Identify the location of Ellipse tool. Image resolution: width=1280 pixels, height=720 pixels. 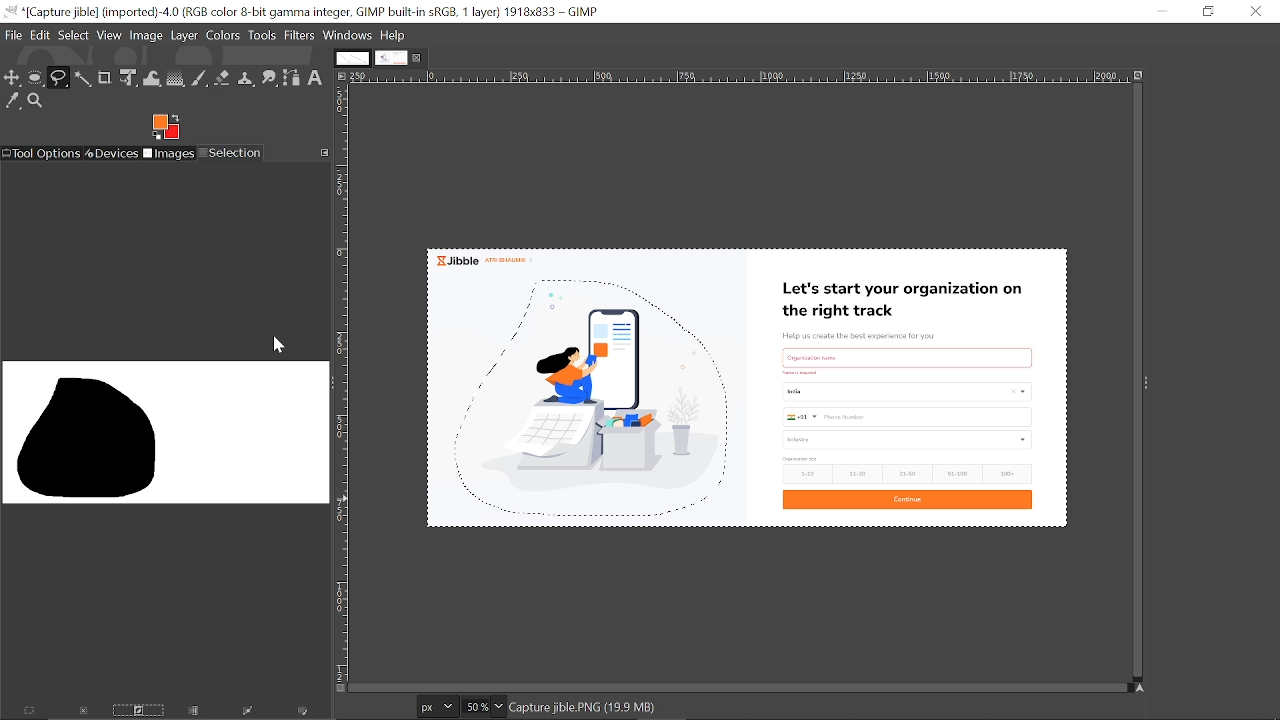
(36, 79).